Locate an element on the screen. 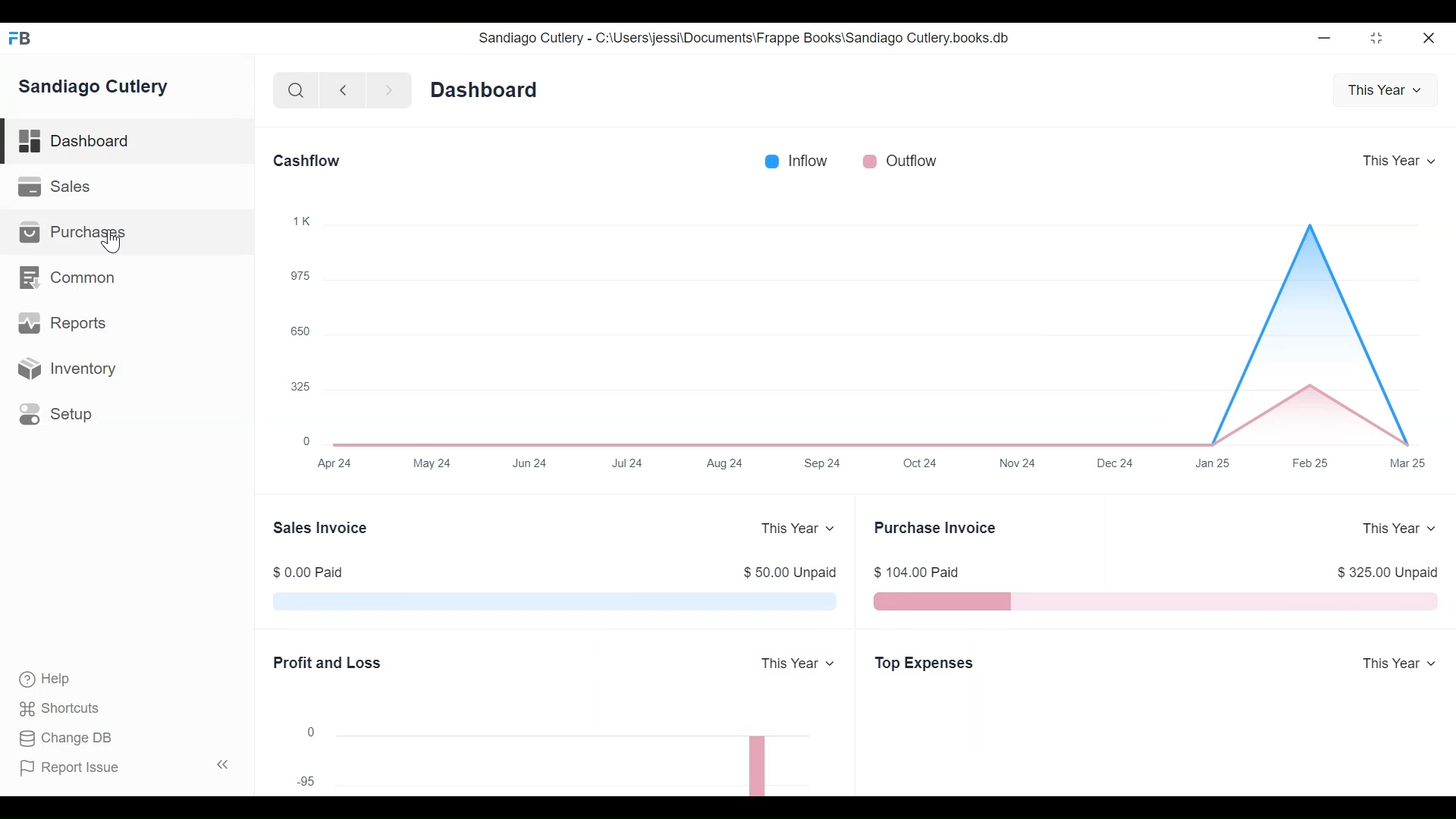 The height and width of the screenshot is (819, 1456). 1K is located at coordinates (300, 222).